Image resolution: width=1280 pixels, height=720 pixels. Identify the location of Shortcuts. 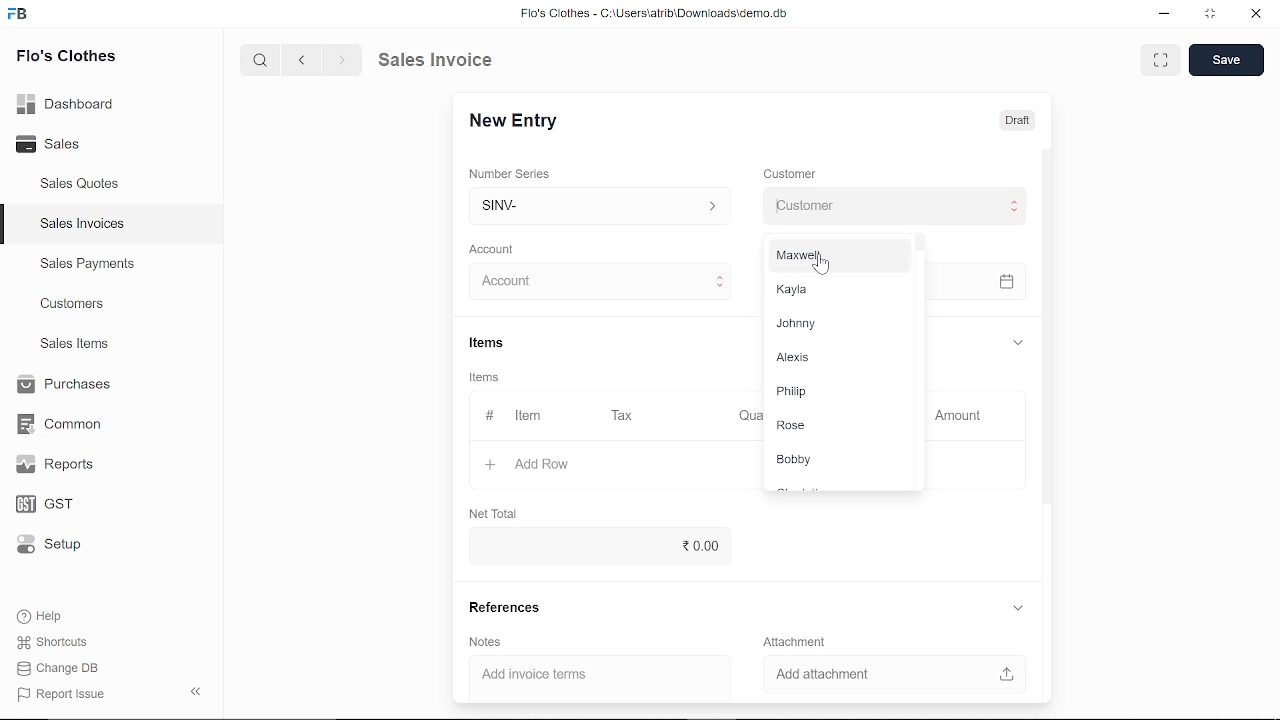
(54, 642).